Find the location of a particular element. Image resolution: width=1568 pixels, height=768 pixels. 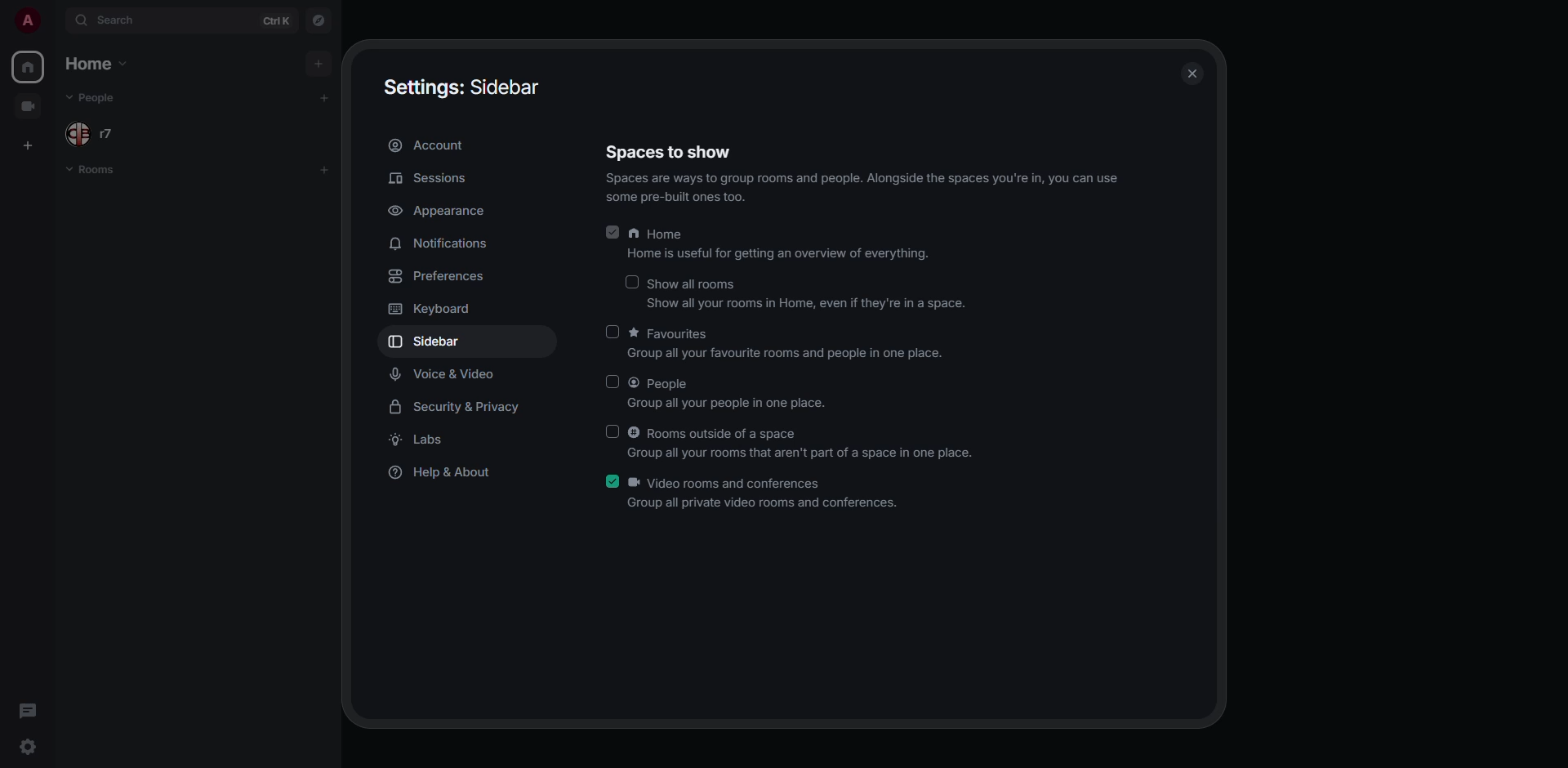

help & about is located at coordinates (442, 473).